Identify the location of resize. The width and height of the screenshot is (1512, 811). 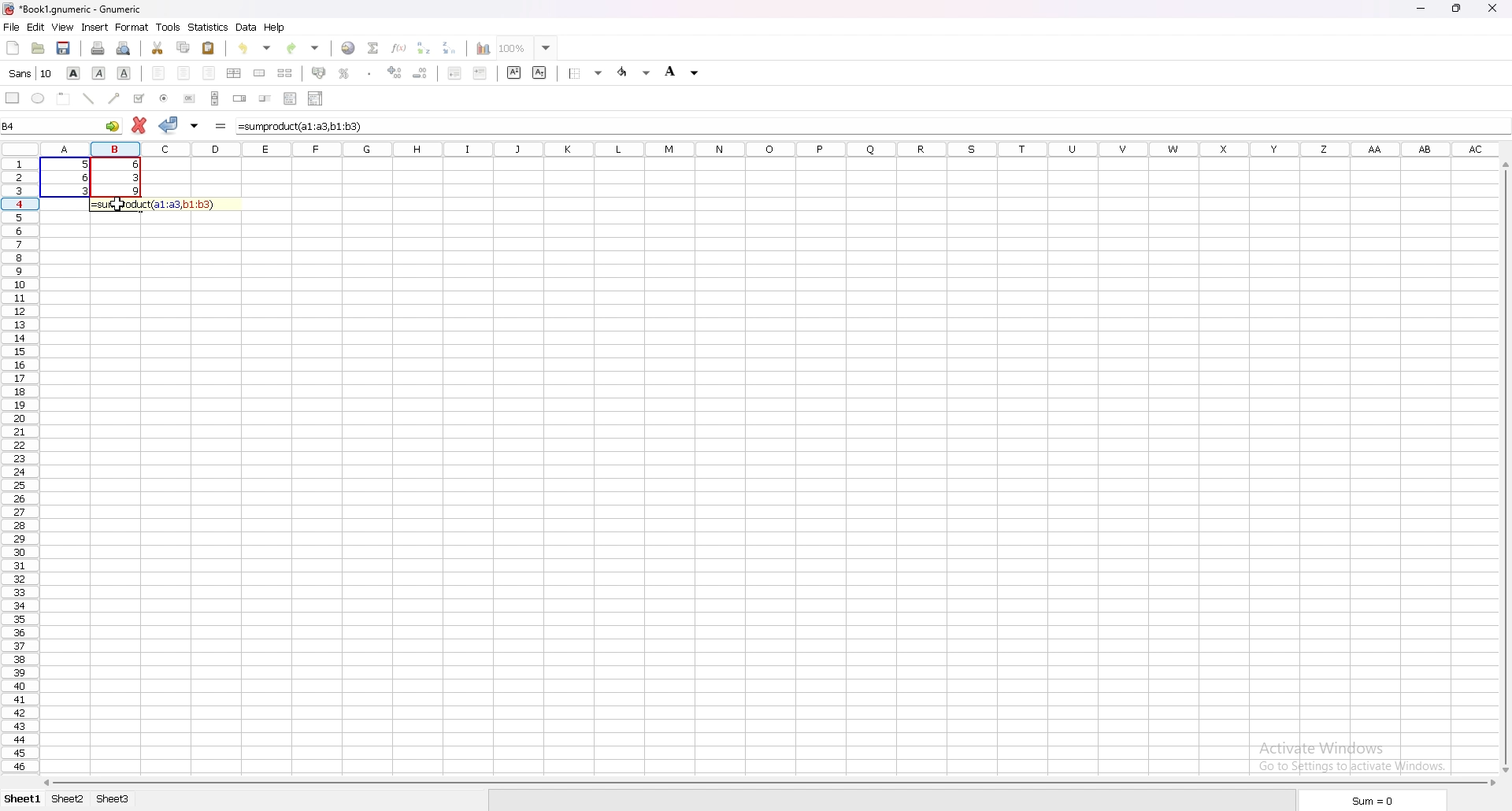
(1456, 9).